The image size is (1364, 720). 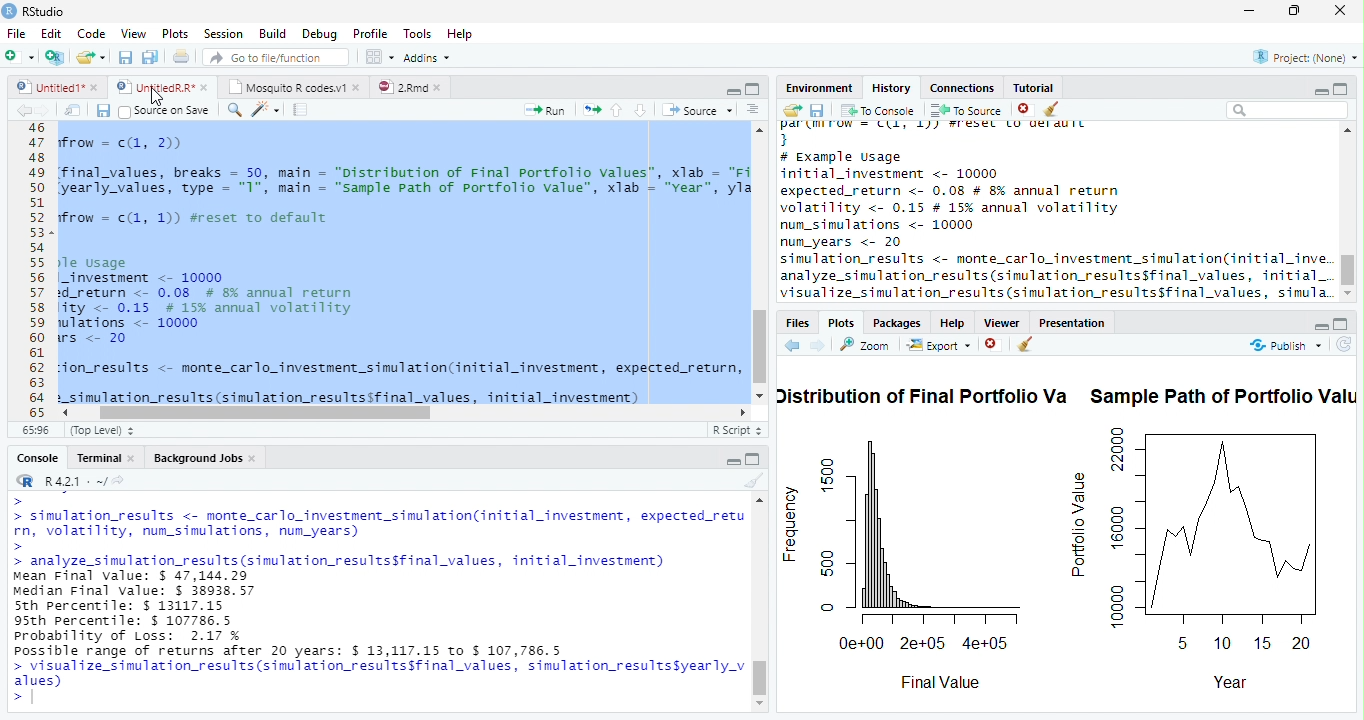 What do you see at coordinates (273, 34) in the screenshot?
I see `Build` at bounding box center [273, 34].